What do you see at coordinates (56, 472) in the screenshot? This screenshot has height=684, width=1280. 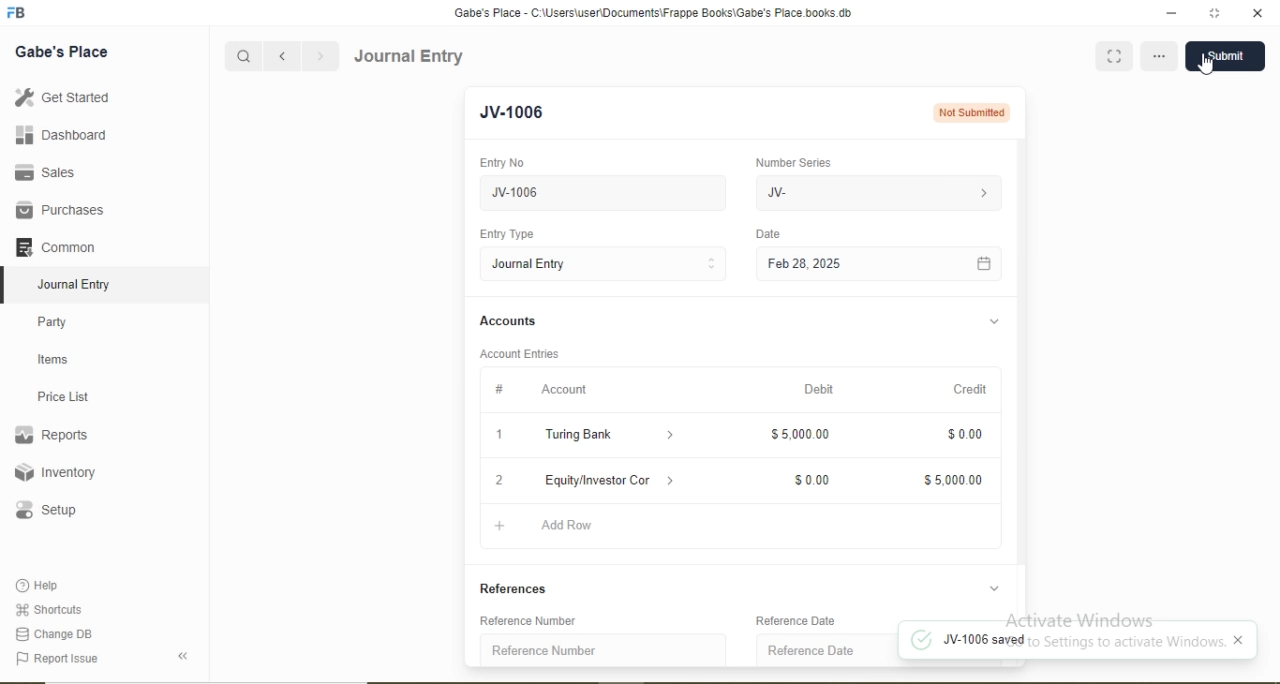 I see `Inventory` at bounding box center [56, 472].